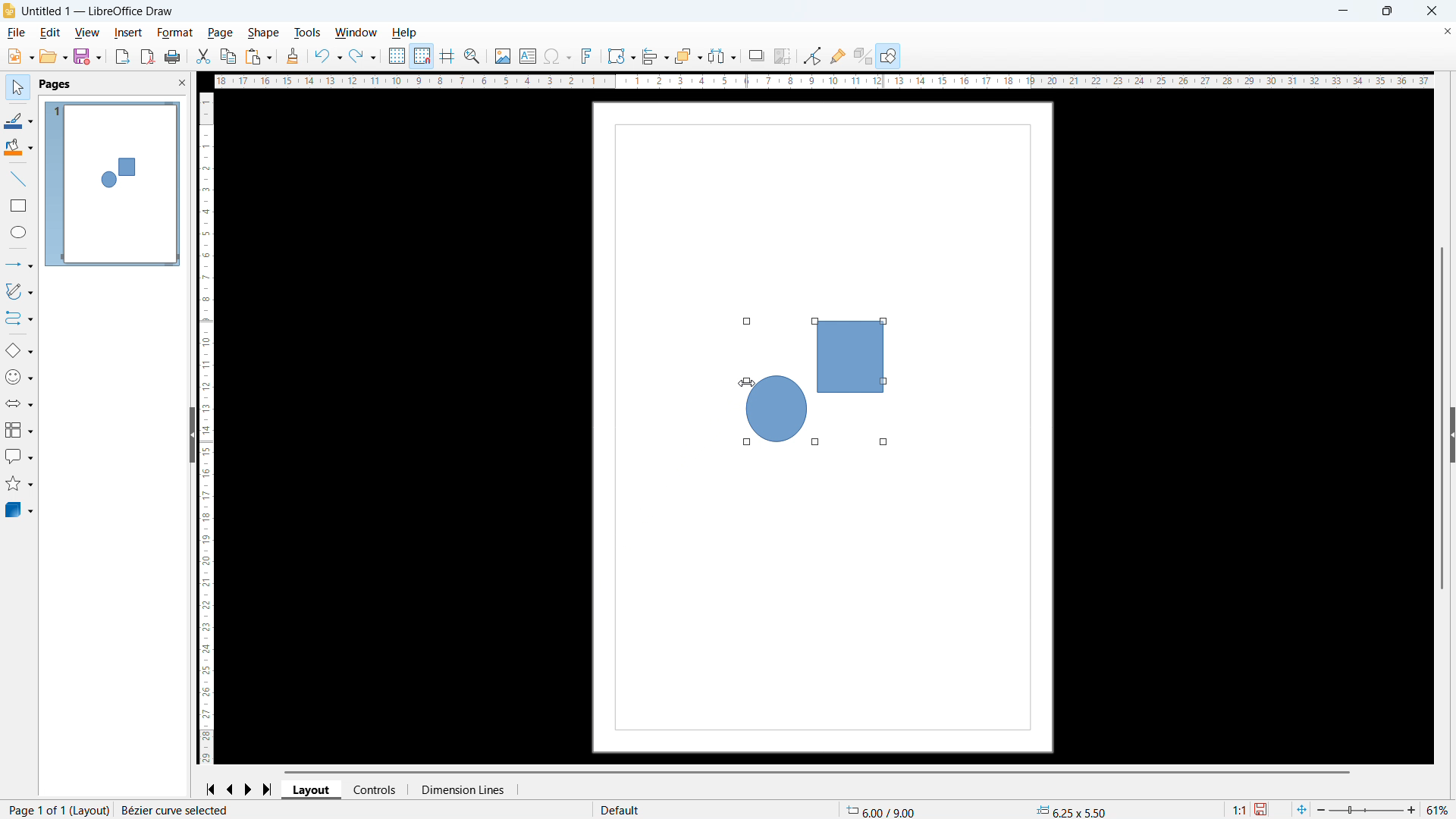 The image size is (1456, 819). What do you see at coordinates (1437, 809) in the screenshot?
I see `Zoom level ` at bounding box center [1437, 809].